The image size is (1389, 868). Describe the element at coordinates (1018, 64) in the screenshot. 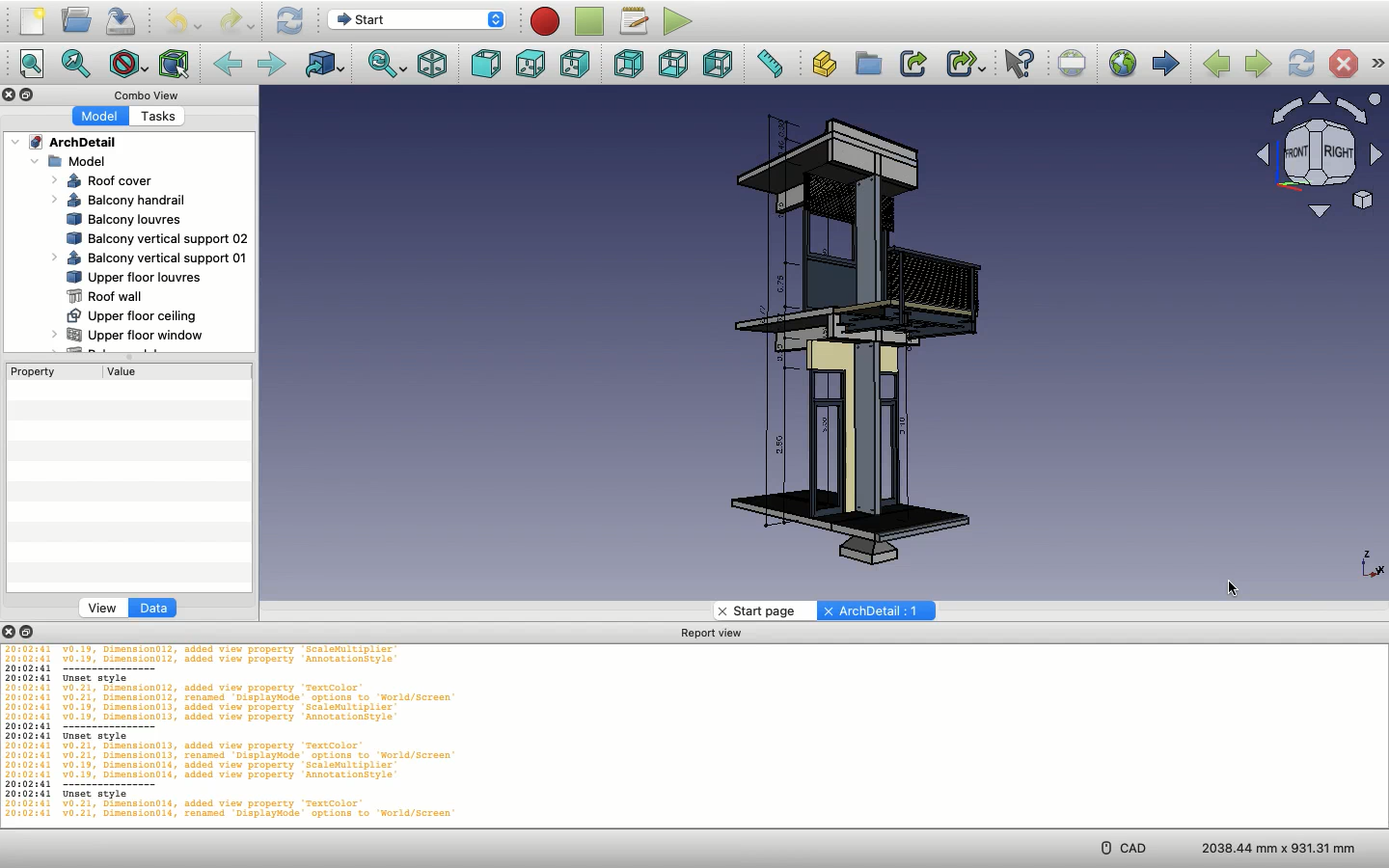

I see `What's this?` at that location.